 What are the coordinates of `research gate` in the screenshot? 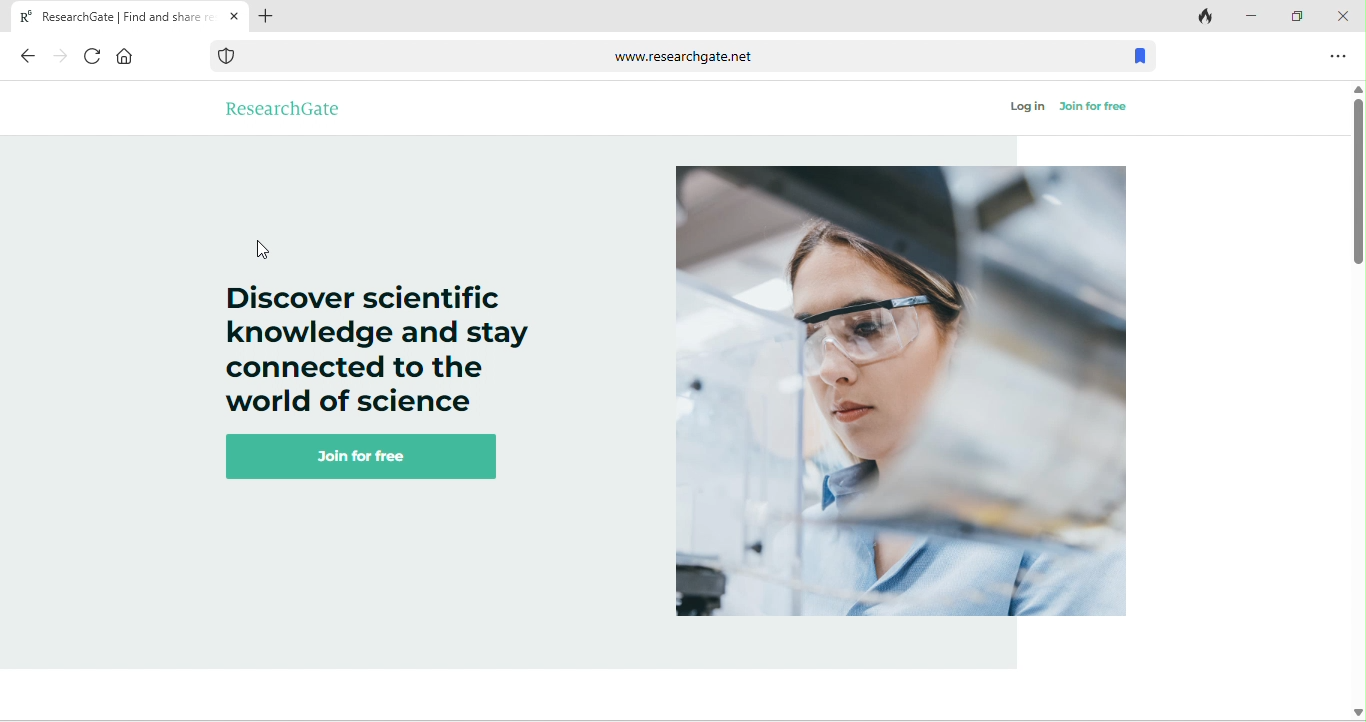 It's located at (287, 106).